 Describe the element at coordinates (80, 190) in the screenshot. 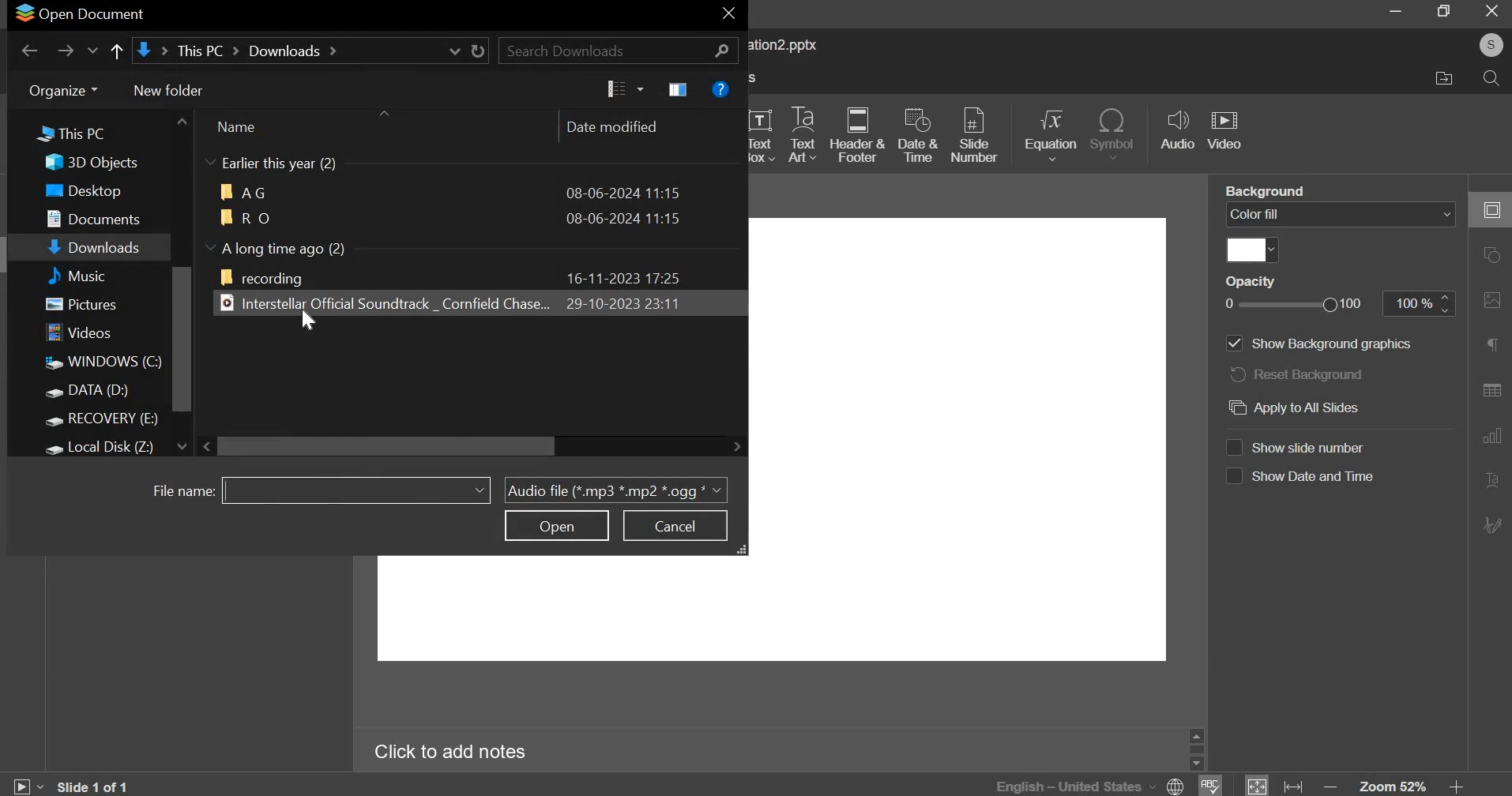

I see `Desktop` at that location.